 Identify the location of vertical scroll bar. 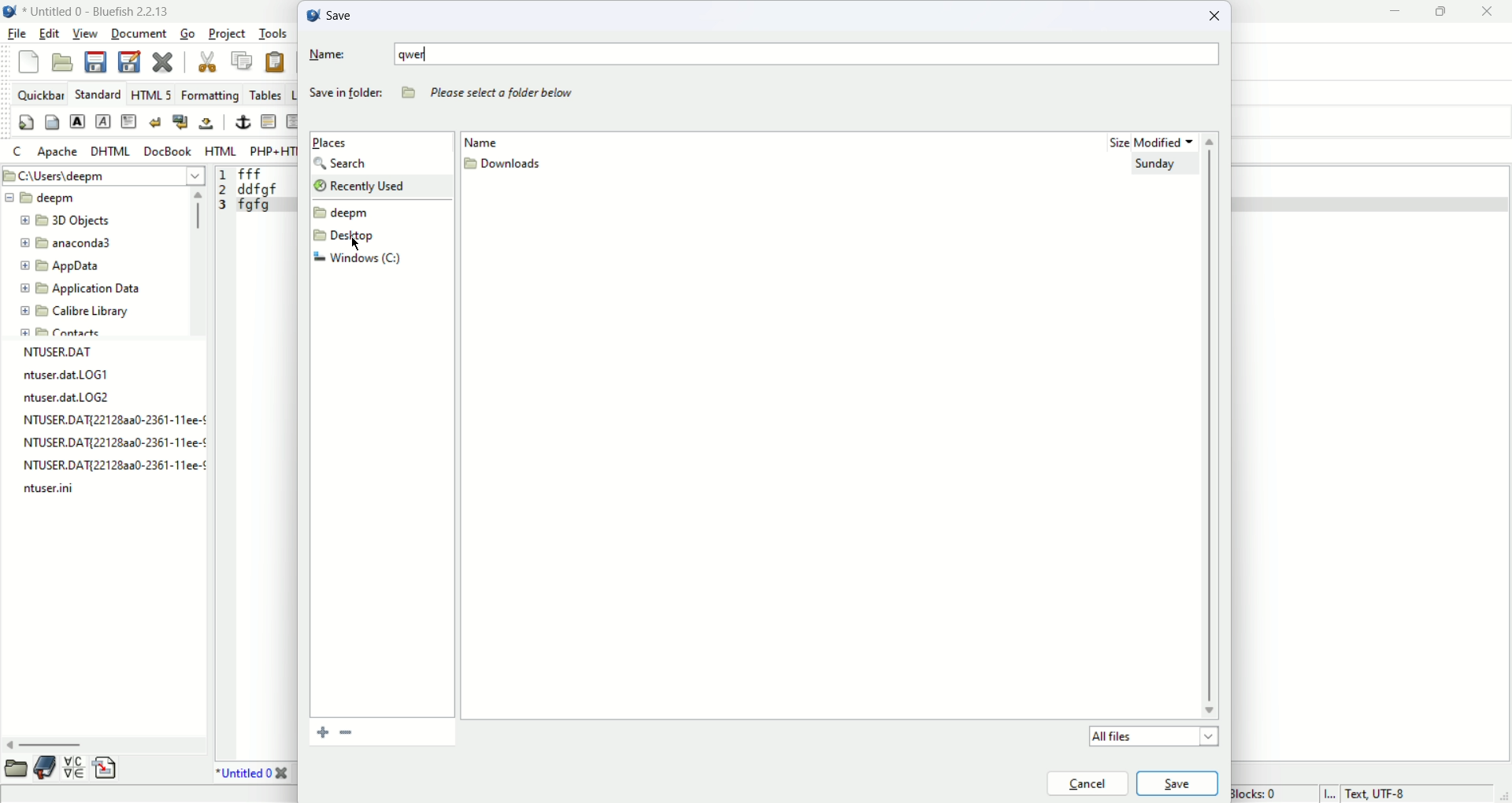
(195, 260).